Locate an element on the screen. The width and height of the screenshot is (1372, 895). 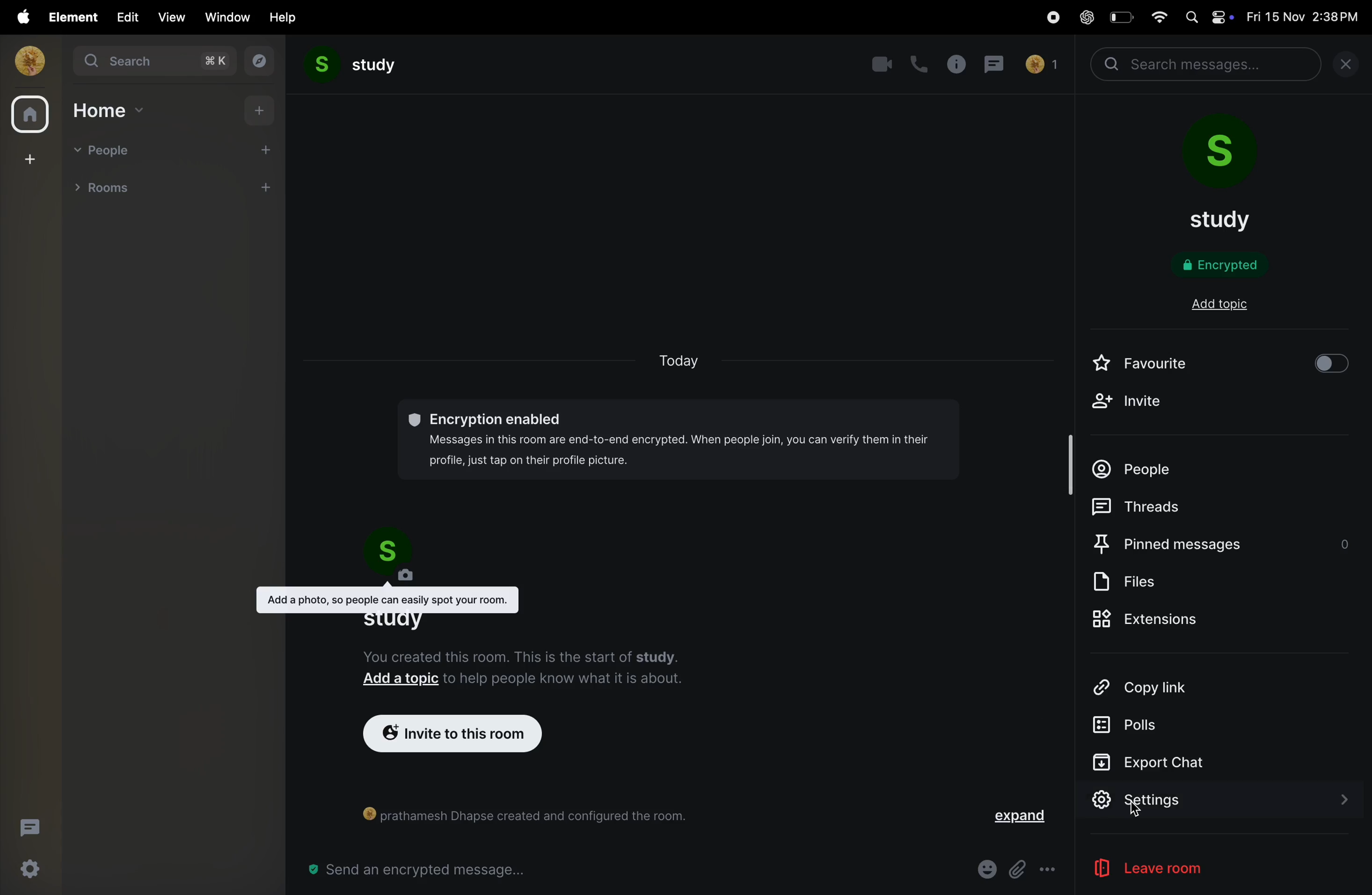
copy link is located at coordinates (1160, 687).